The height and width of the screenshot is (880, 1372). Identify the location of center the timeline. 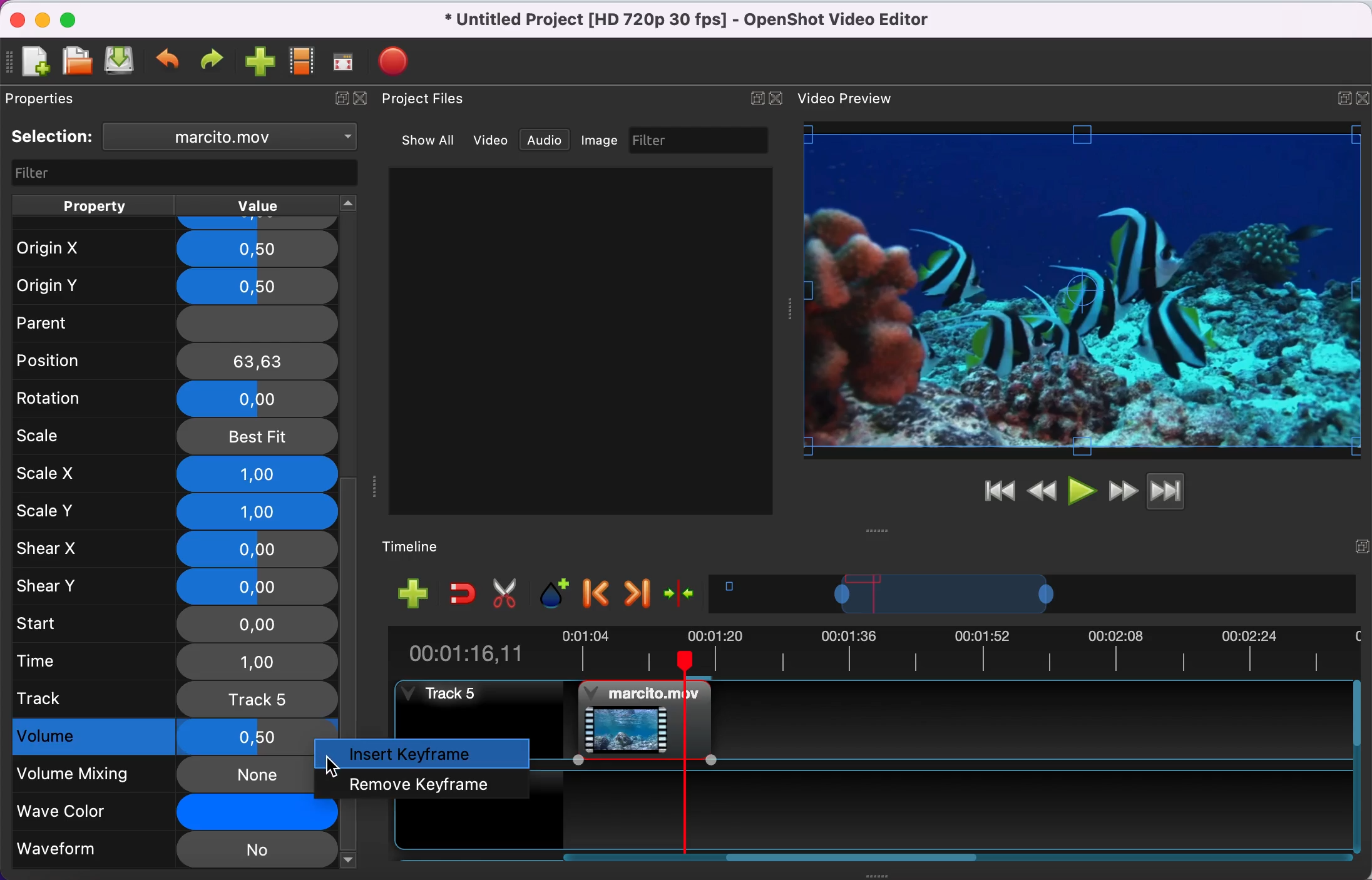
(683, 596).